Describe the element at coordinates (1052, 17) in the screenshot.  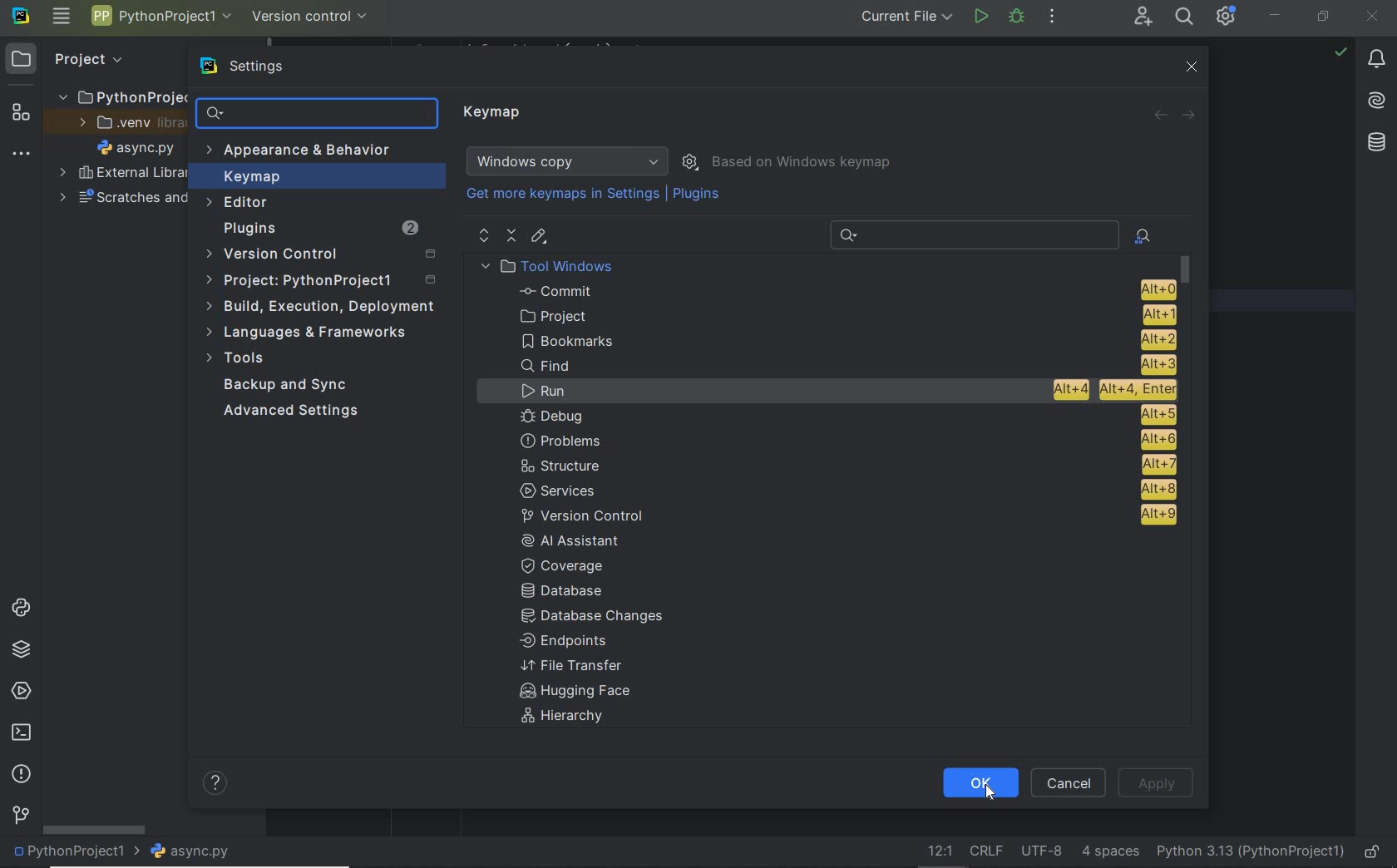
I see `more actions` at that location.